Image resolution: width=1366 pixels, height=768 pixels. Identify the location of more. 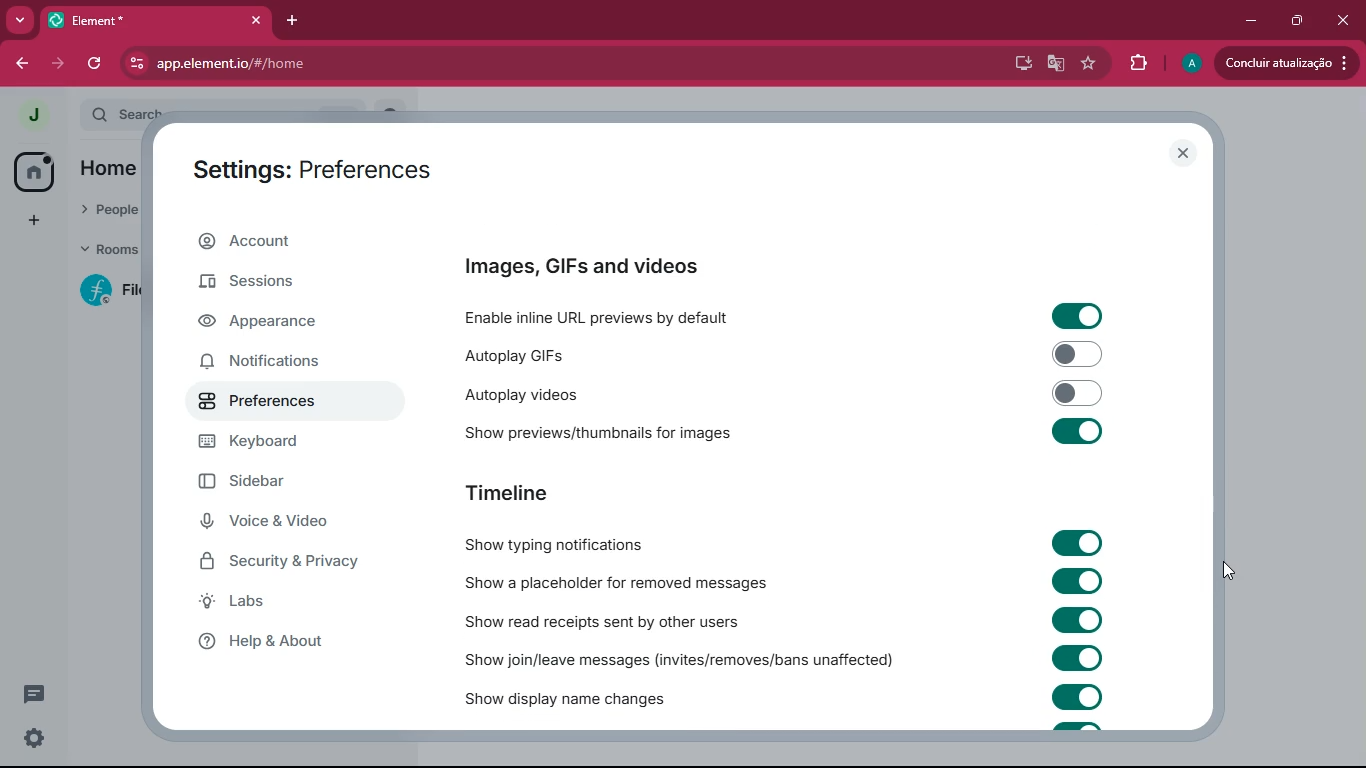
(20, 22).